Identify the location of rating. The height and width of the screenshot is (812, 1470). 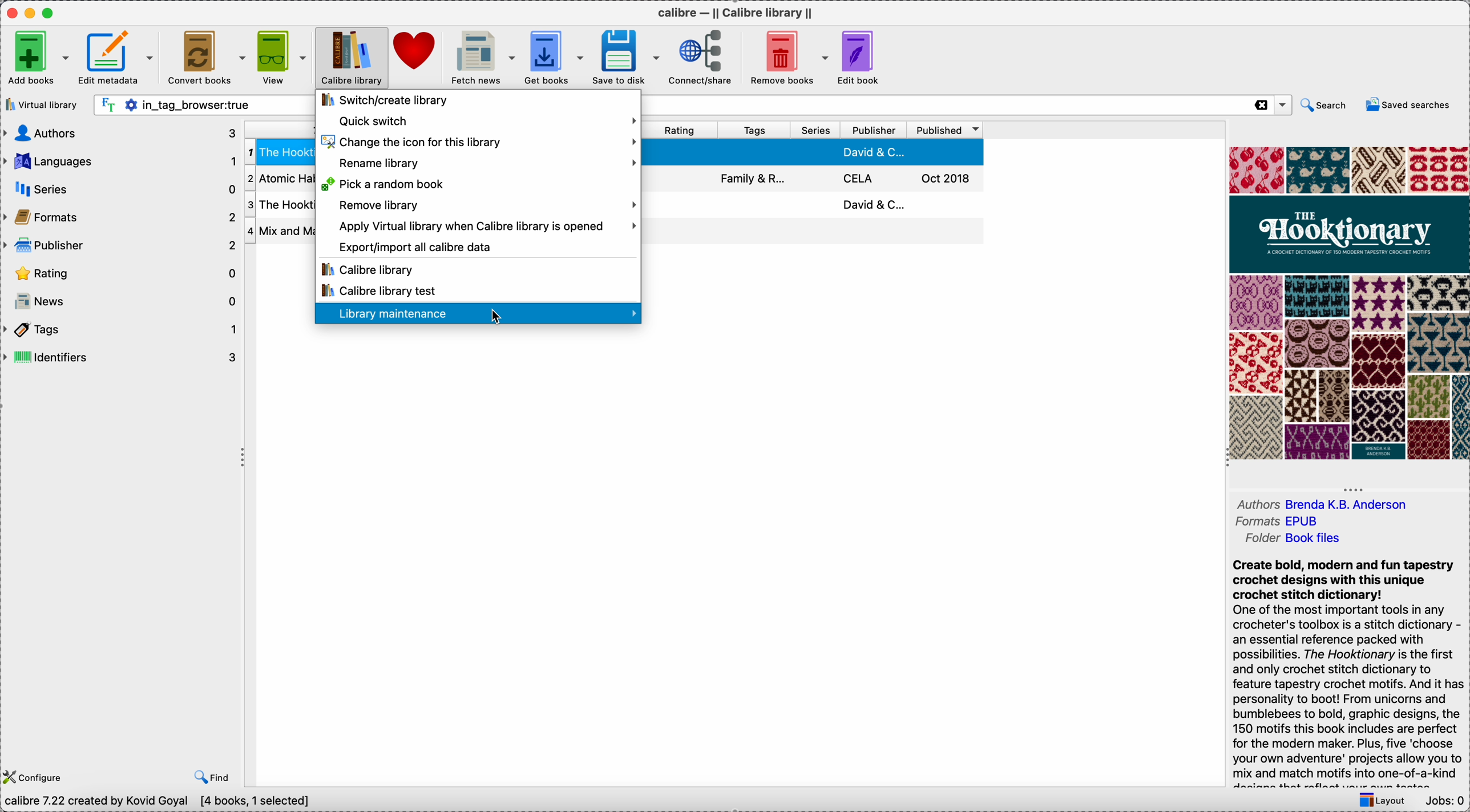
(120, 273).